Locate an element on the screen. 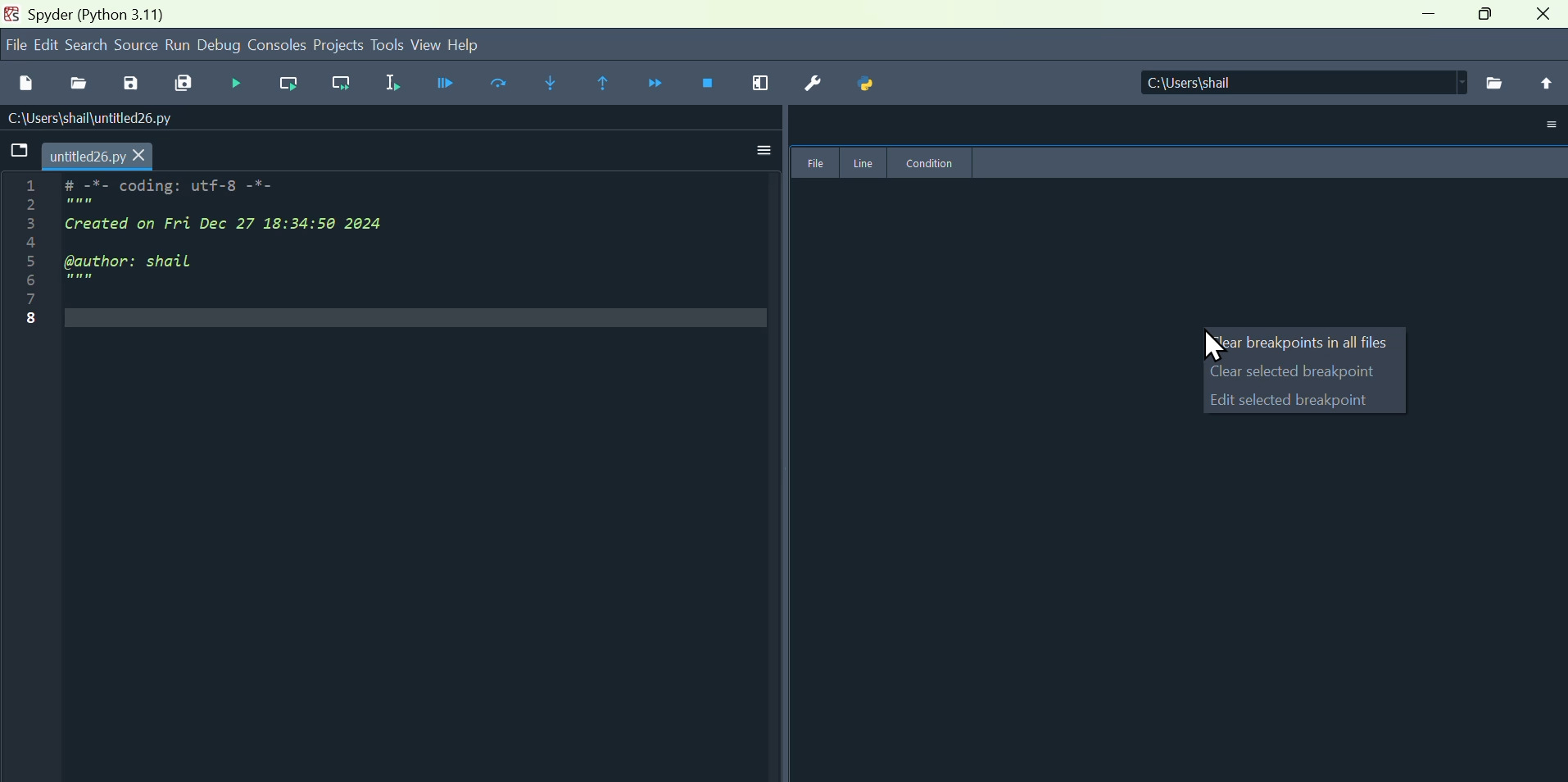  Browse tab is located at coordinates (18, 151).